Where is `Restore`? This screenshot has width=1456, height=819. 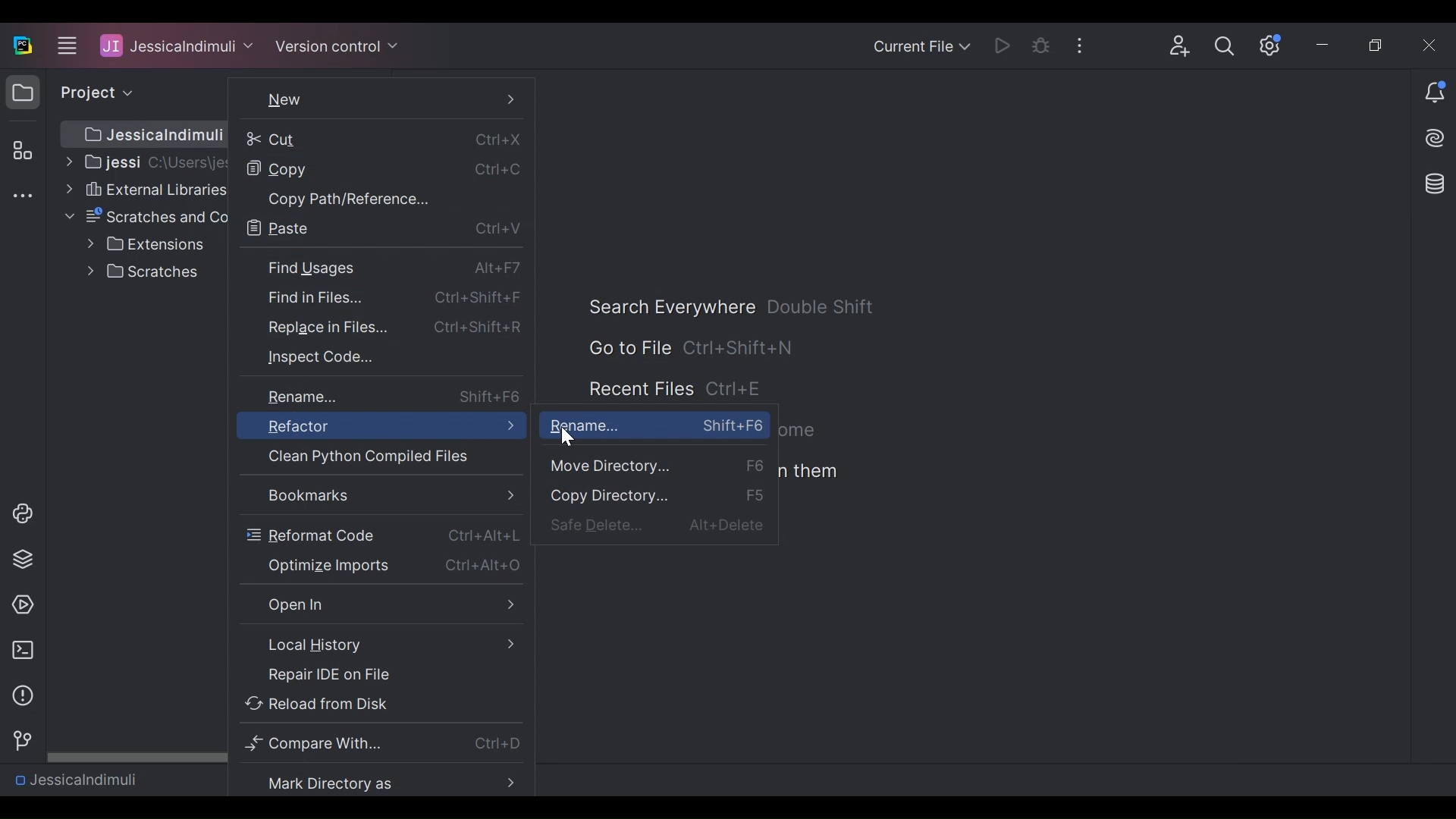
Restore is located at coordinates (1379, 46).